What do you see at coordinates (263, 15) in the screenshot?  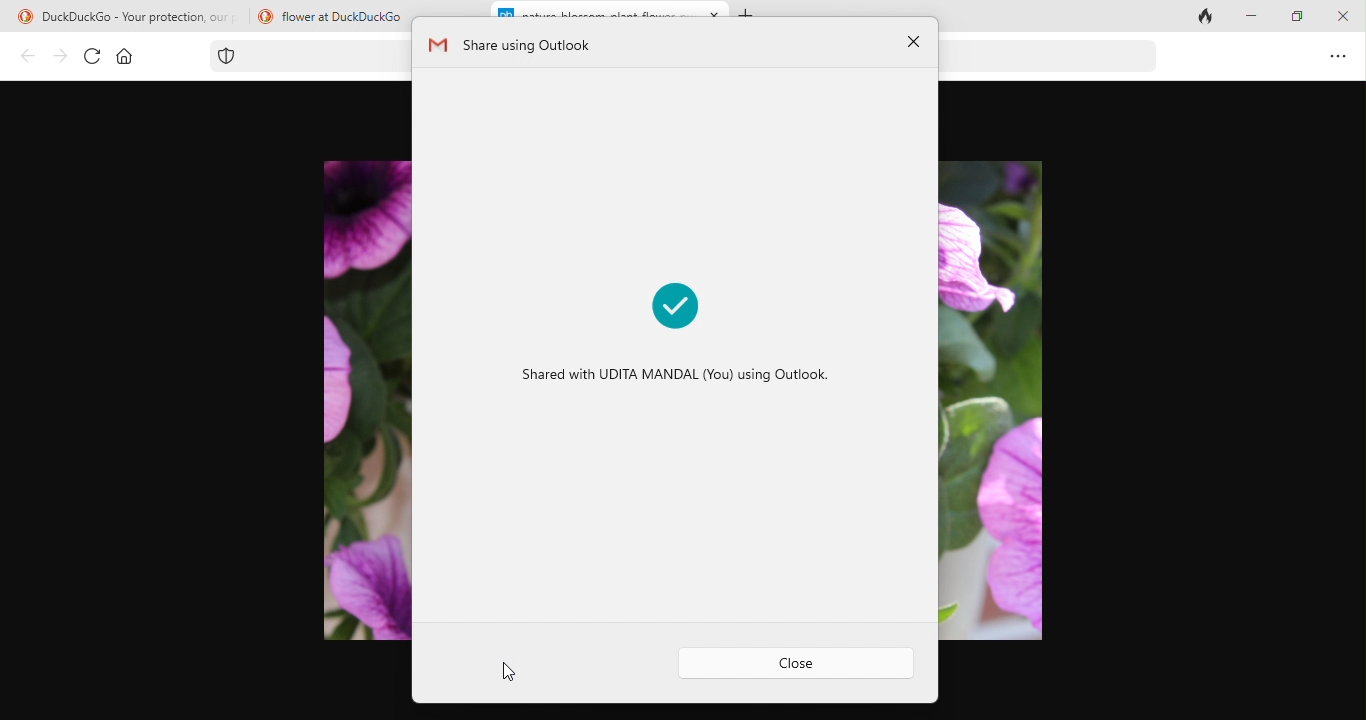 I see `duckduck go logo` at bounding box center [263, 15].